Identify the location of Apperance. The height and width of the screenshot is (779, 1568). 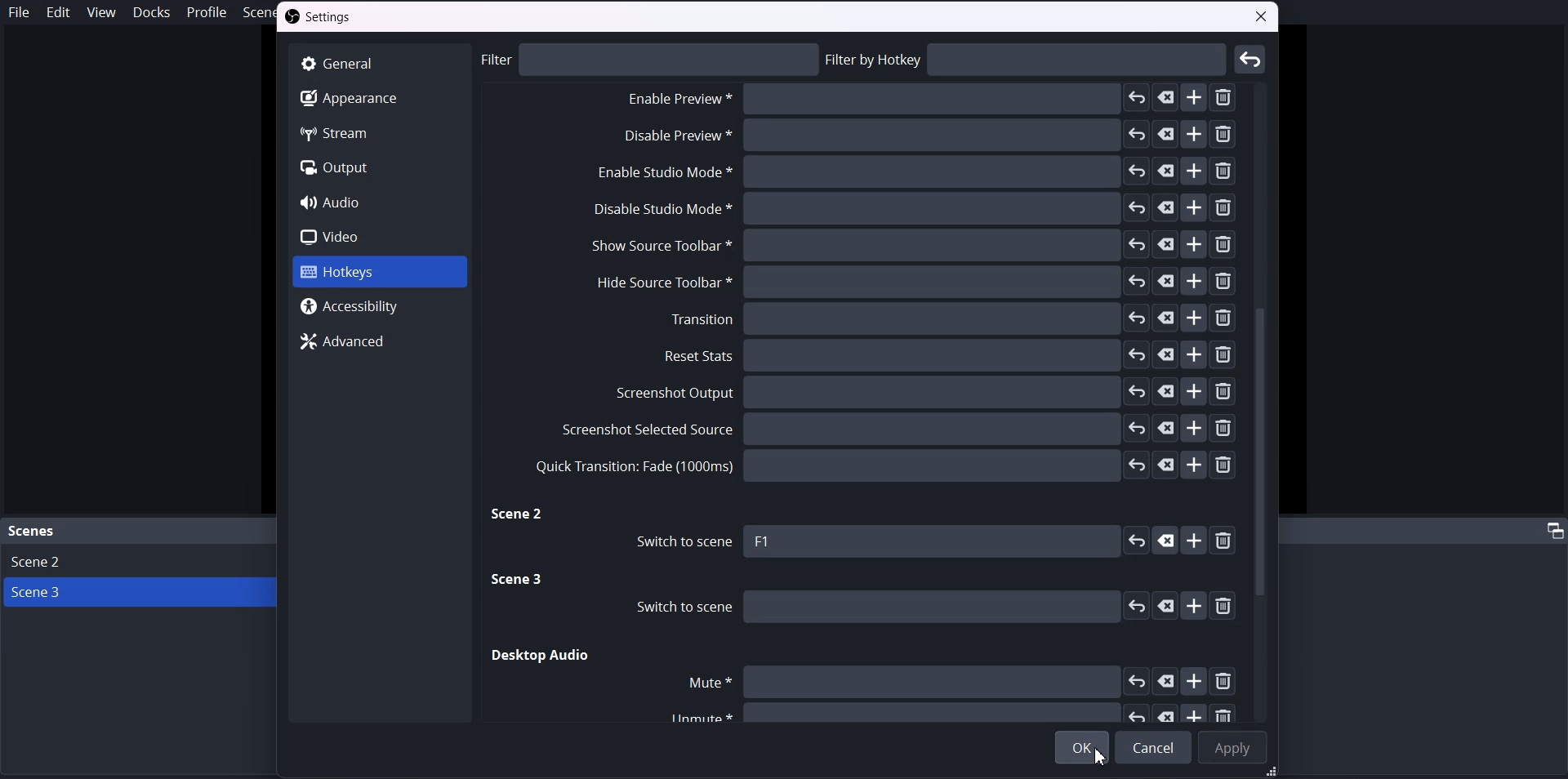
(377, 97).